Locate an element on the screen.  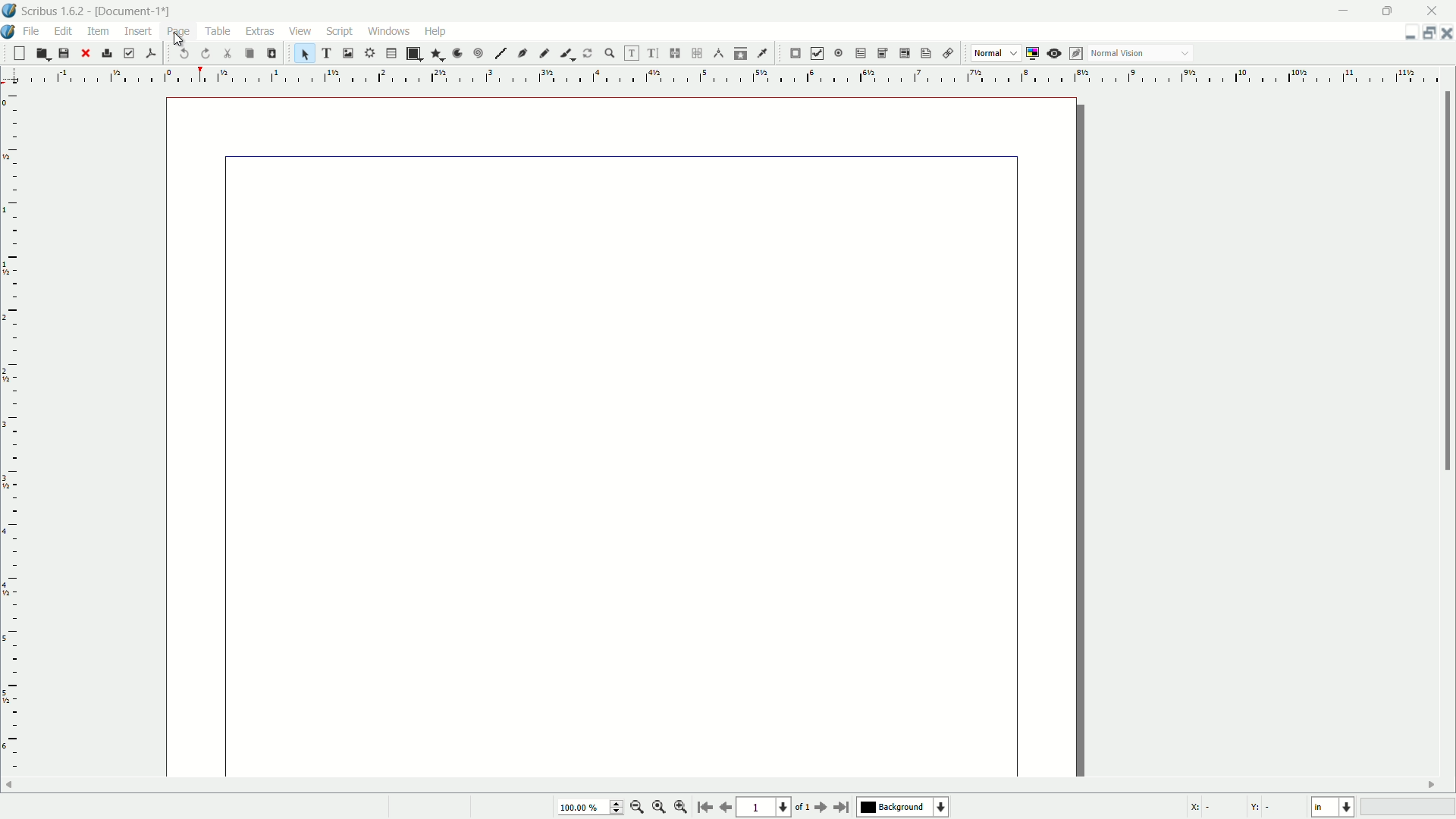
text annotation is located at coordinates (924, 54).